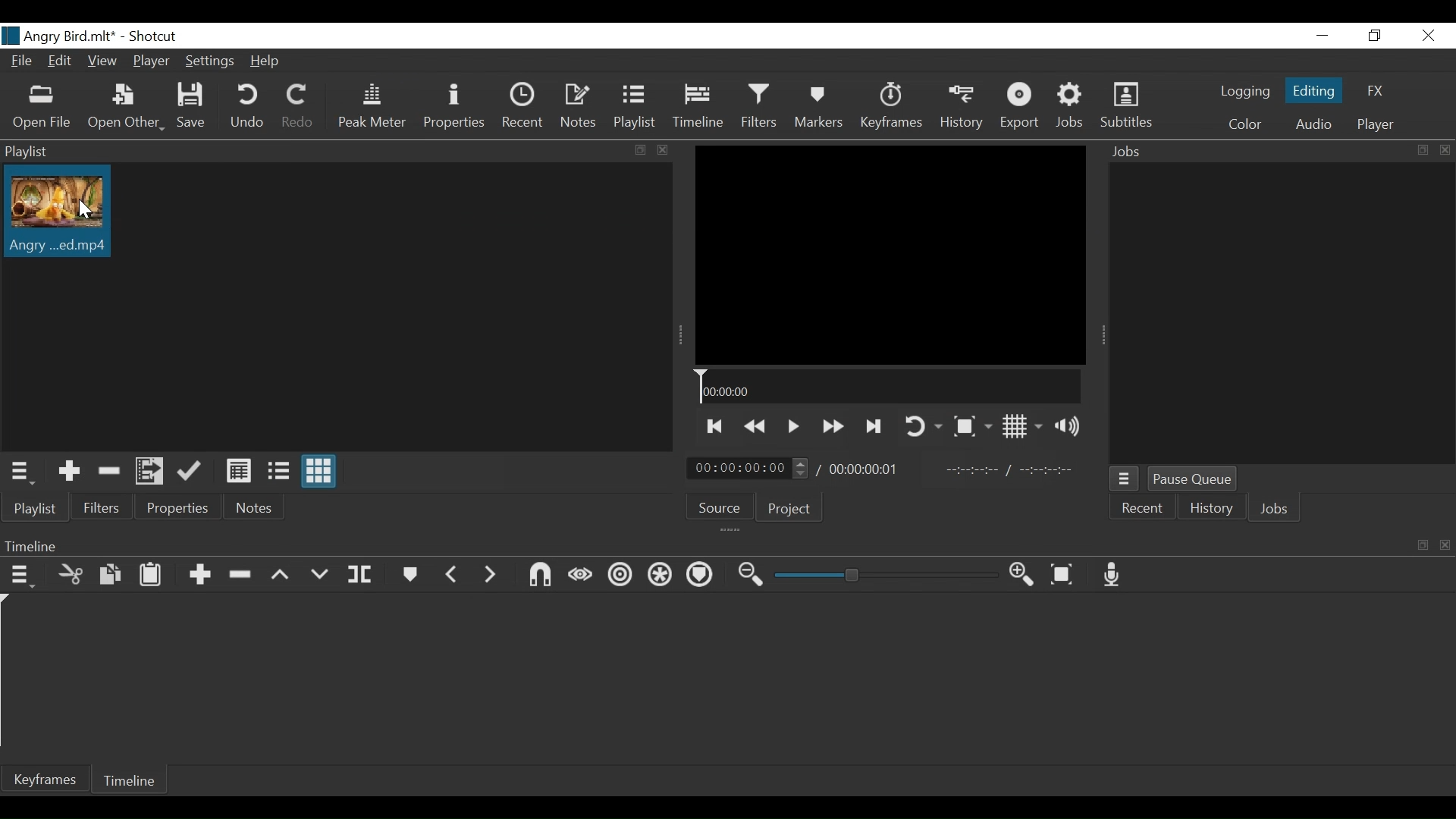 Image resolution: width=1456 pixels, height=819 pixels. What do you see at coordinates (1429, 35) in the screenshot?
I see `close` at bounding box center [1429, 35].